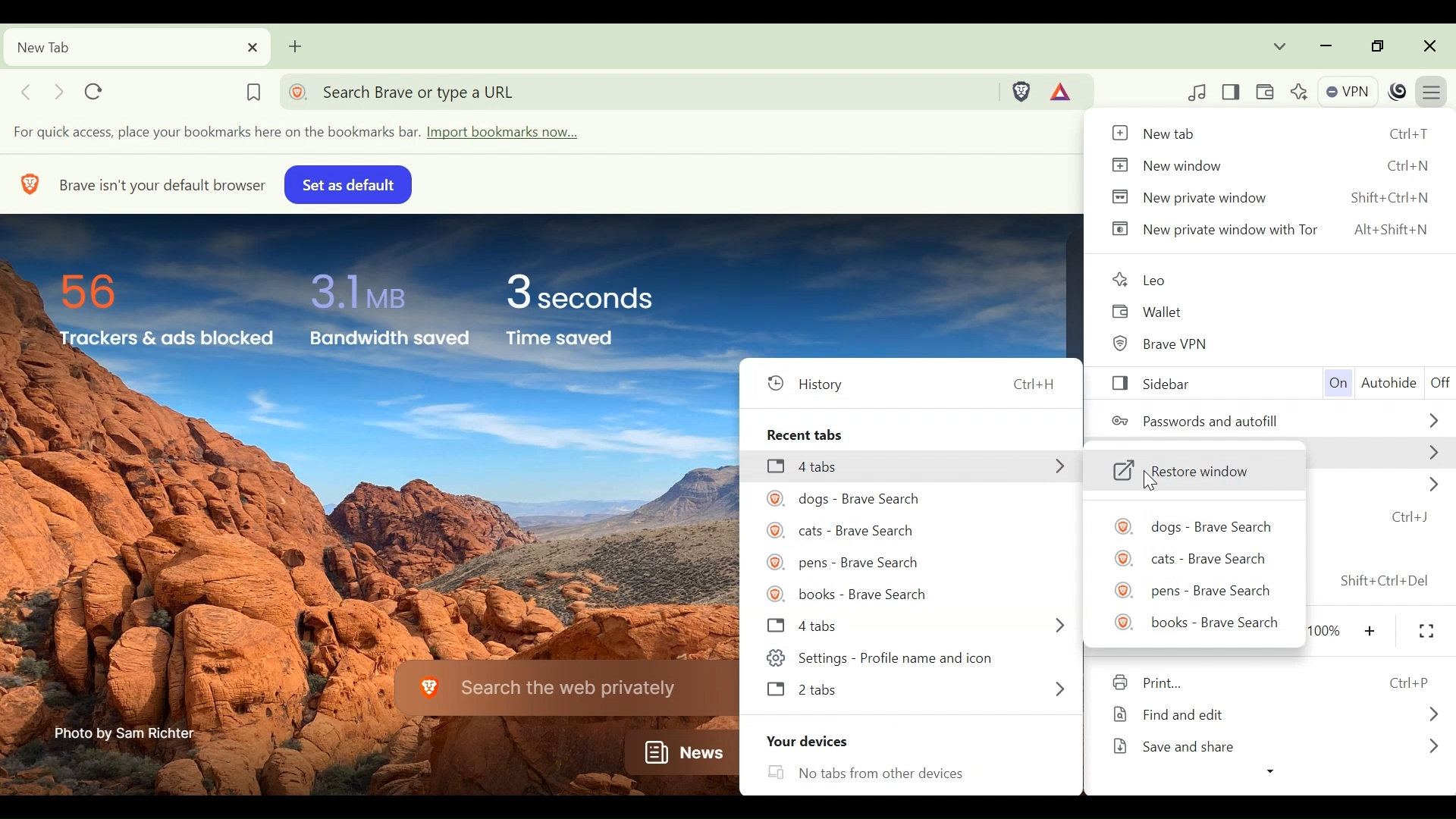  I want to click on MORE, so click(1052, 625).